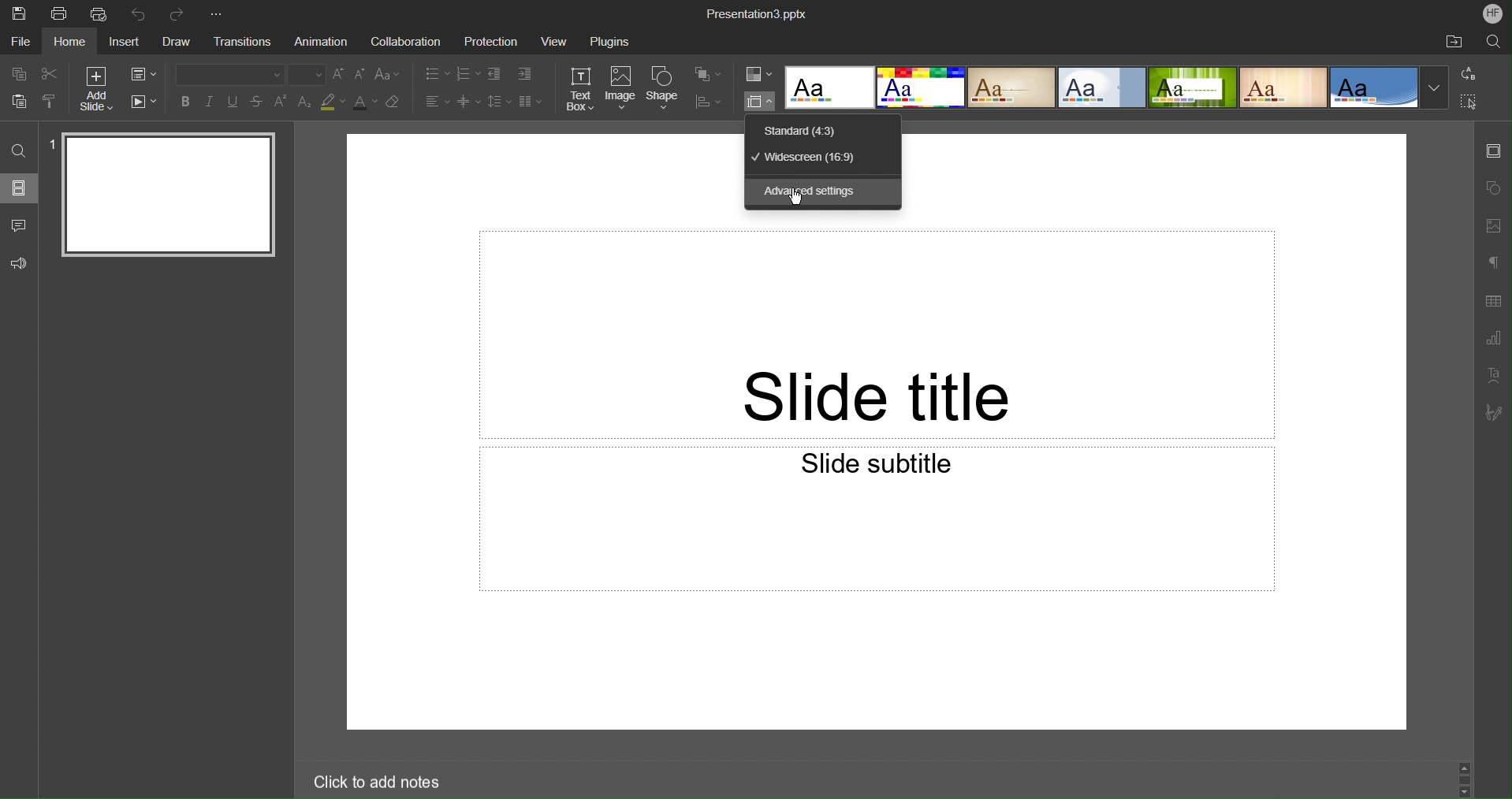 This screenshot has width=1512, height=799. What do you see at coordinates (877, 518) in the screenshot?
I see `Slide subtitle` at bounding box center [877, 518].